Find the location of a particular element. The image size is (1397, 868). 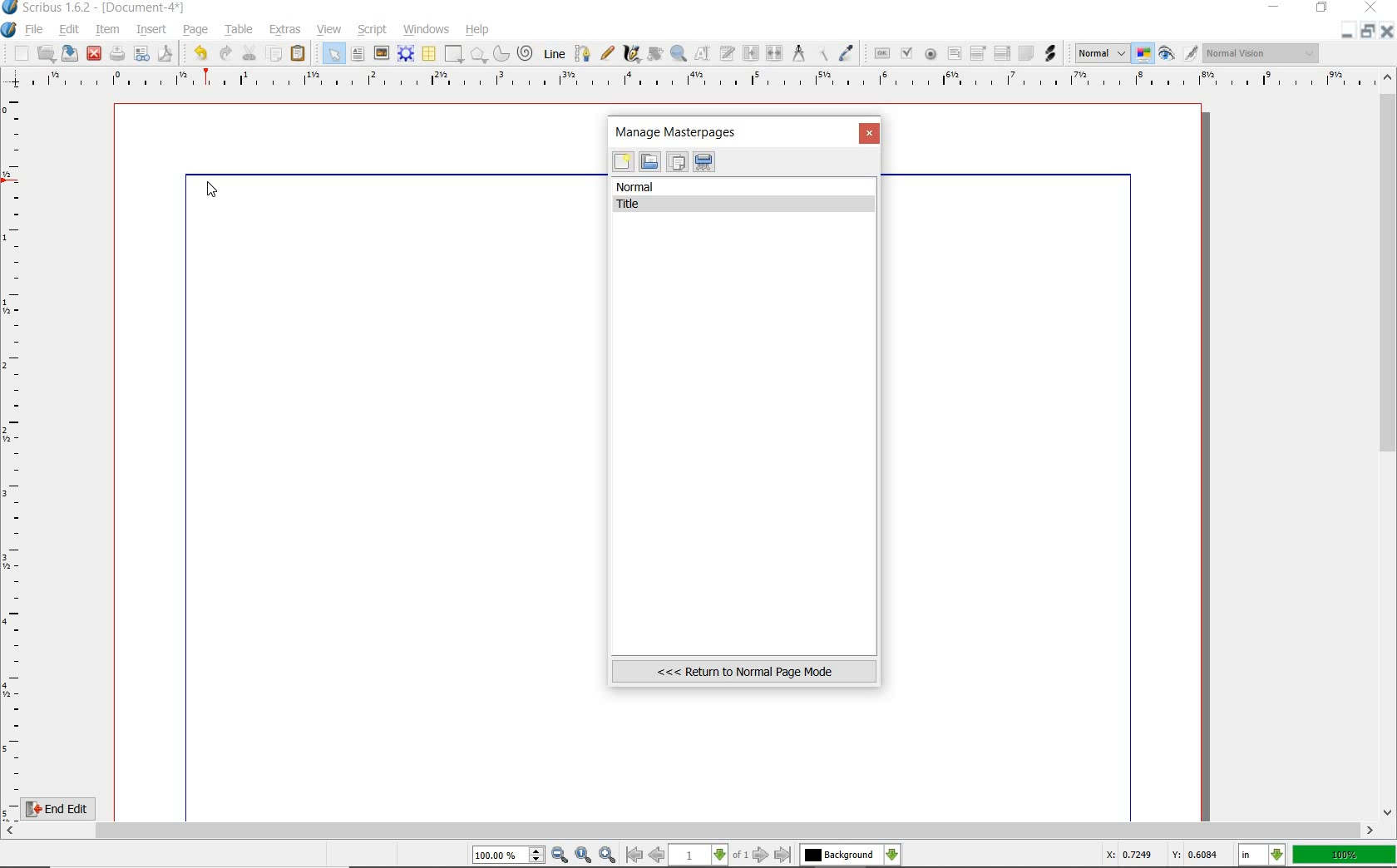

arc is located at coordinates (500, 53).